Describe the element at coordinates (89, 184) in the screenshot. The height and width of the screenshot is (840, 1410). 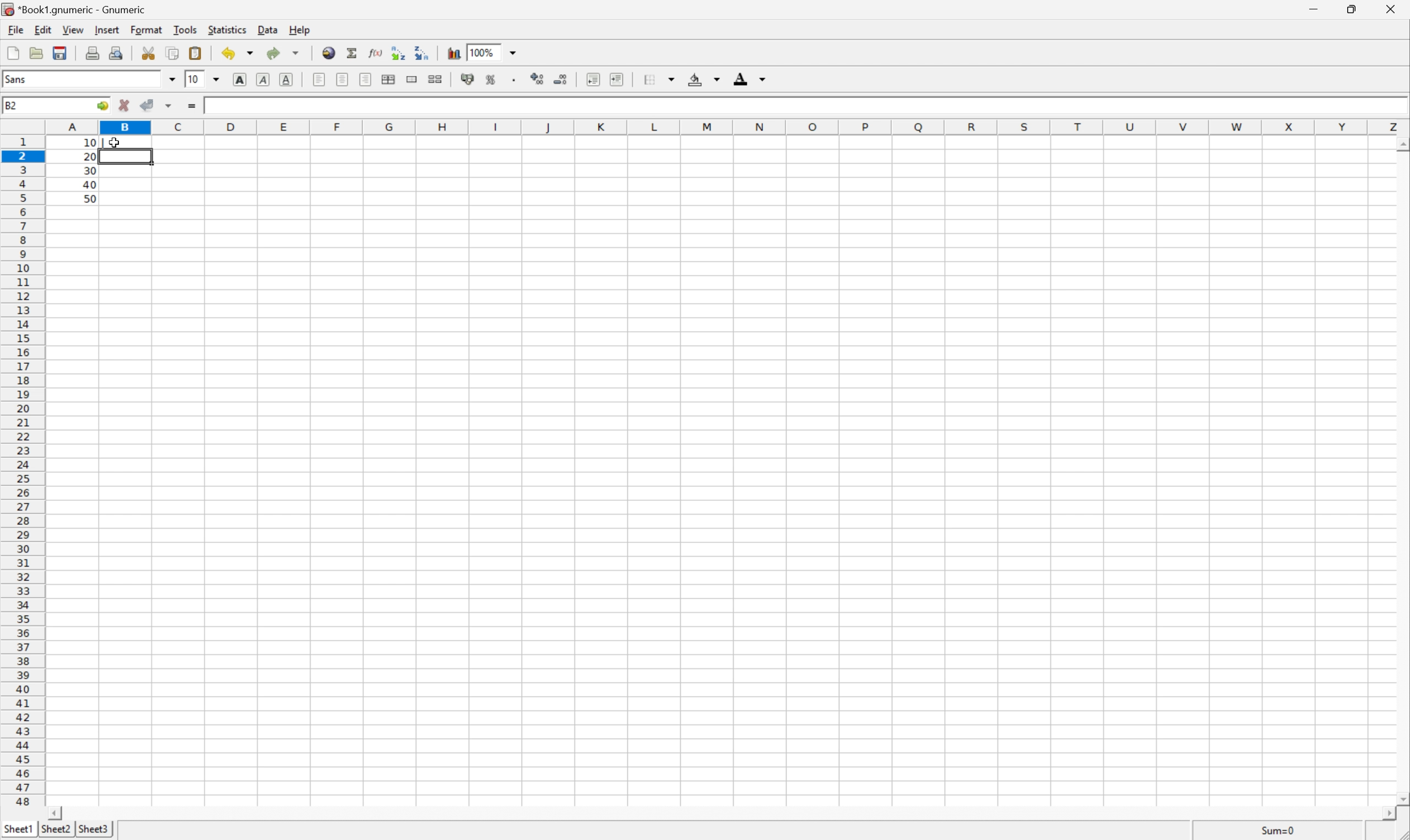
I see `40` at that location.